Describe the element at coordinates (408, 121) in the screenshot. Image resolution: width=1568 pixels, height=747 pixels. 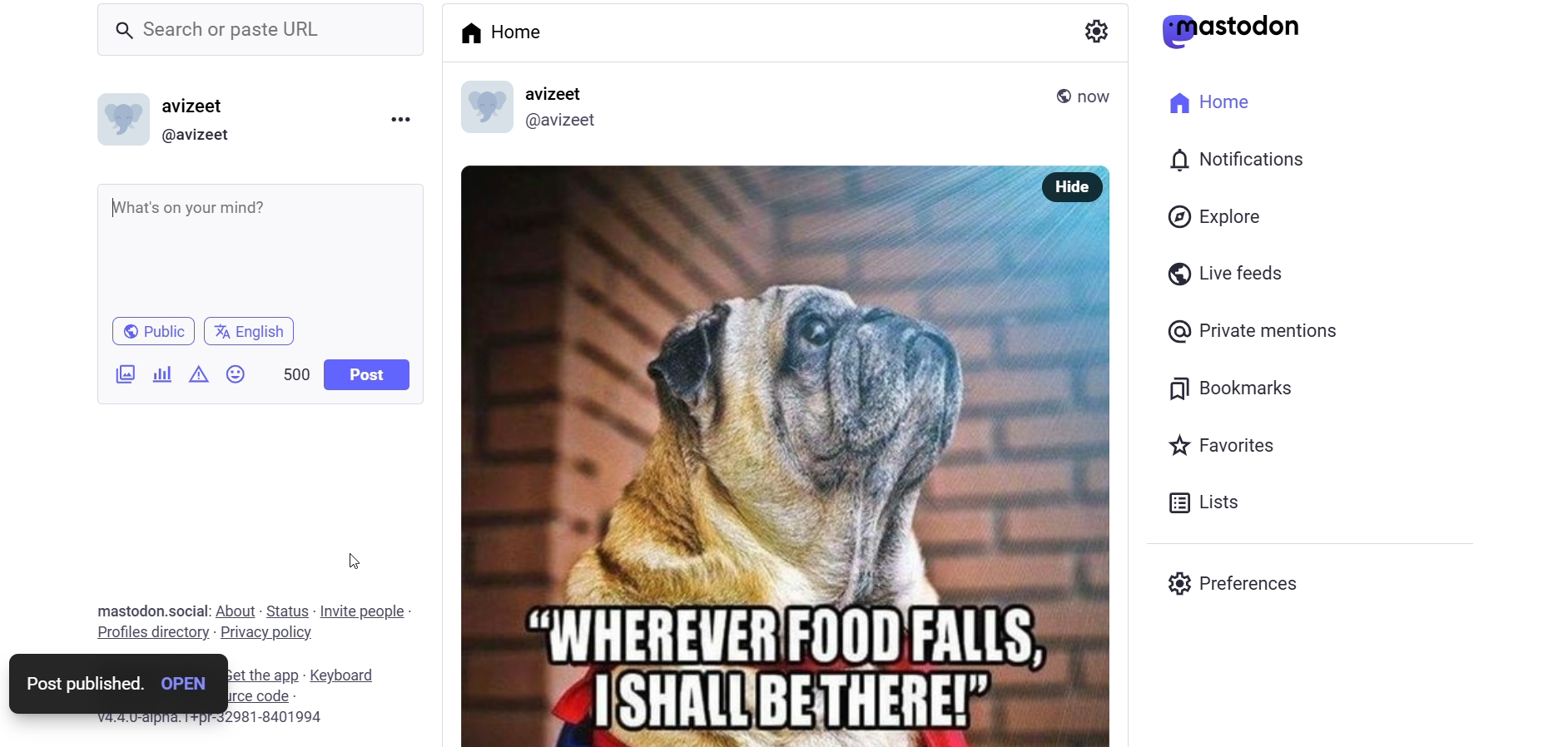
I see `more` at that location.